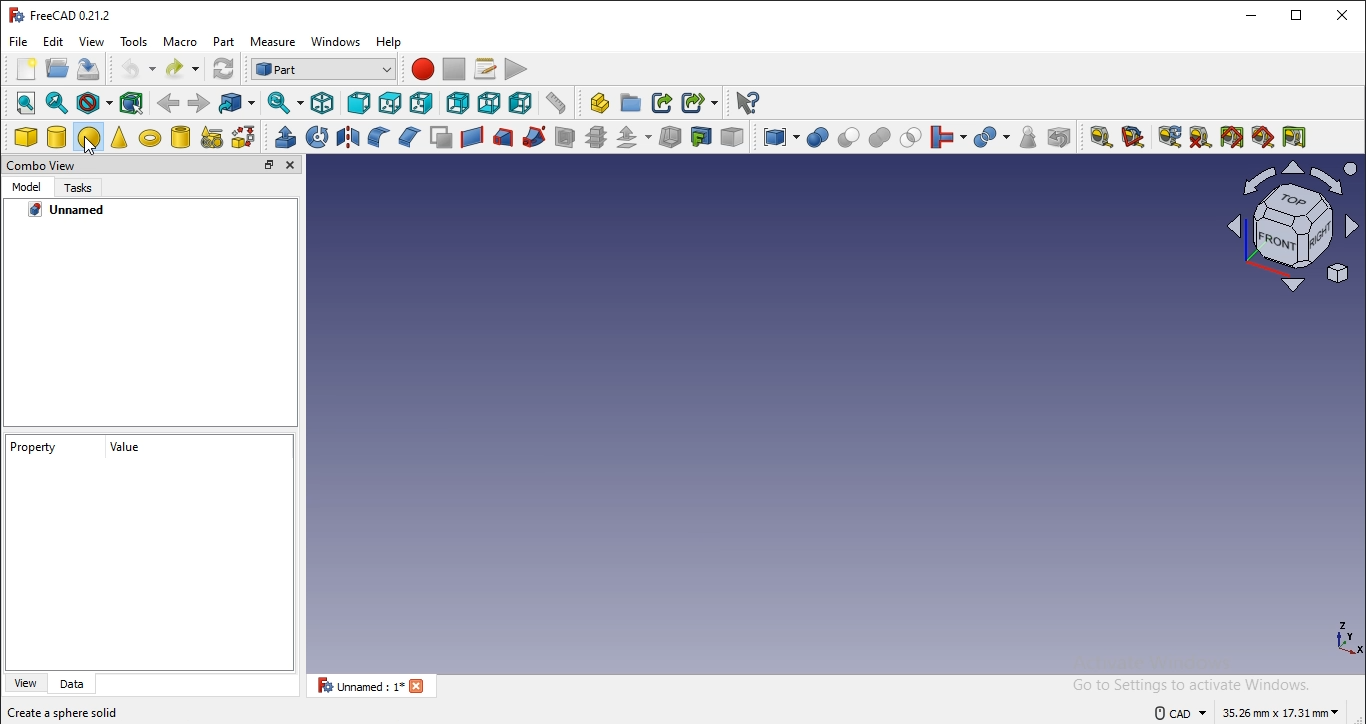  What do you see at coordinates (1293, 14) in the screenshot?
I see `restore` at bounding box center [1293, 14].